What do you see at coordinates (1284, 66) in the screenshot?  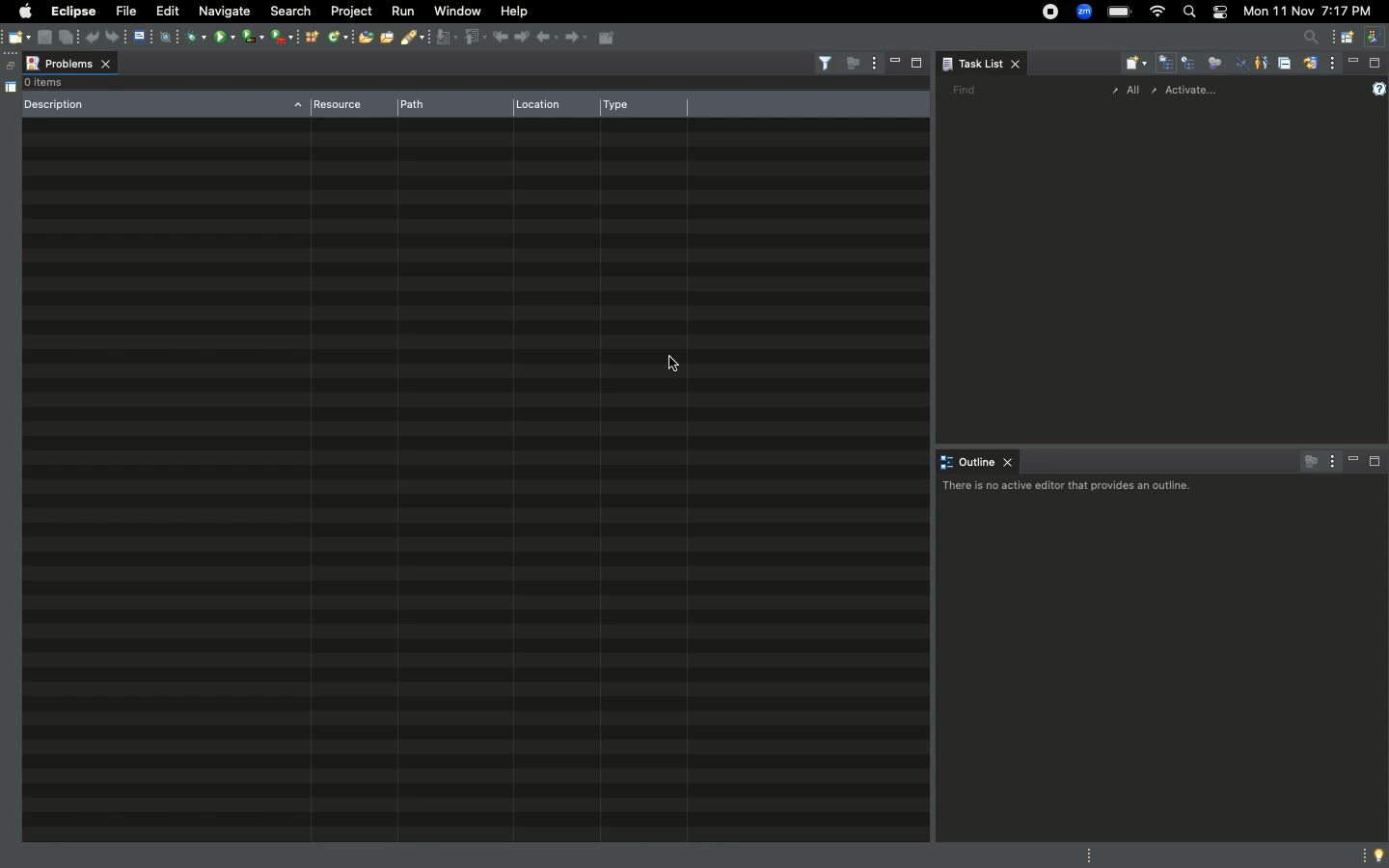 I see `Collapse all` at bounding box center [1284, 66].